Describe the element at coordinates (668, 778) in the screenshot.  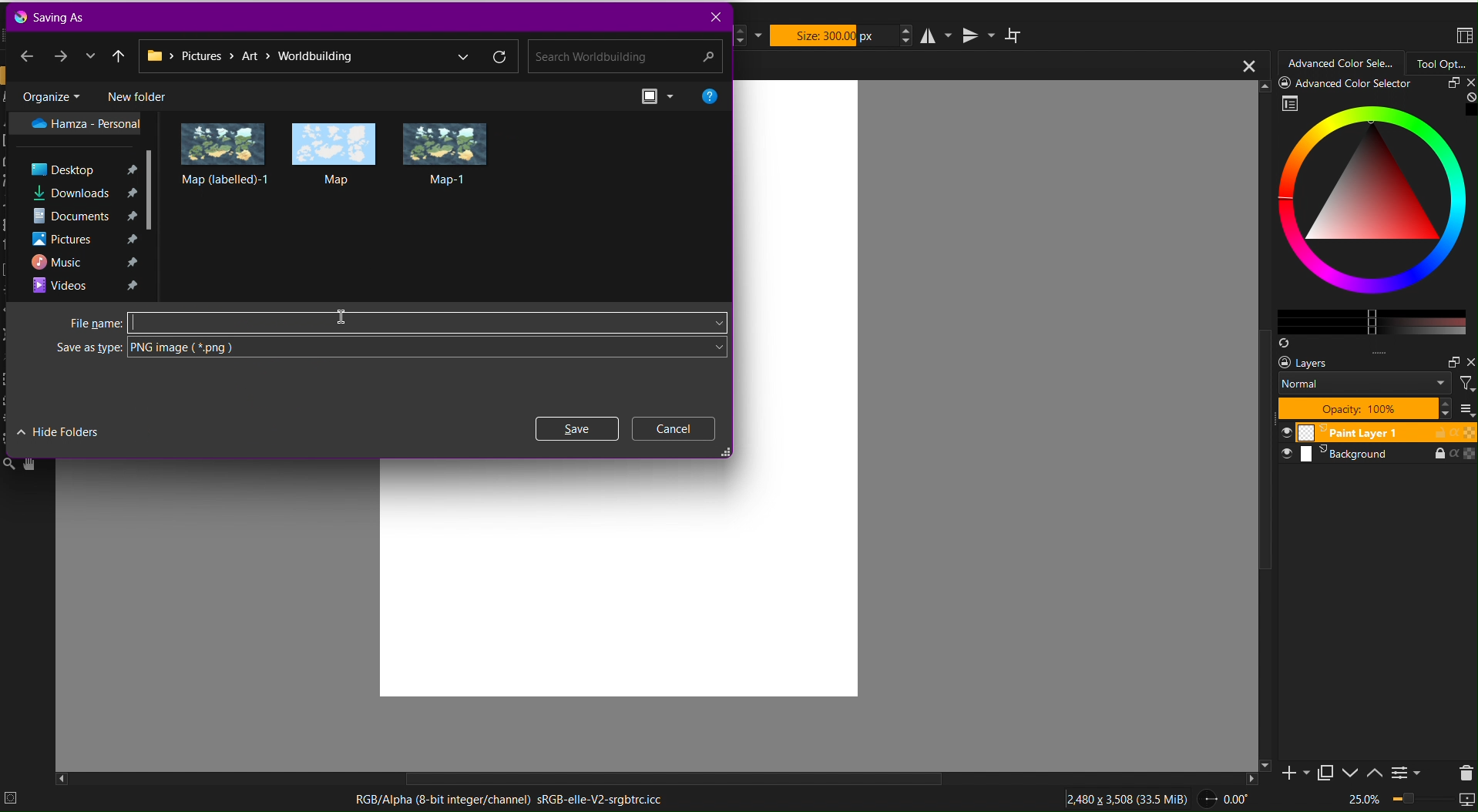
I see `scroll` at that location.